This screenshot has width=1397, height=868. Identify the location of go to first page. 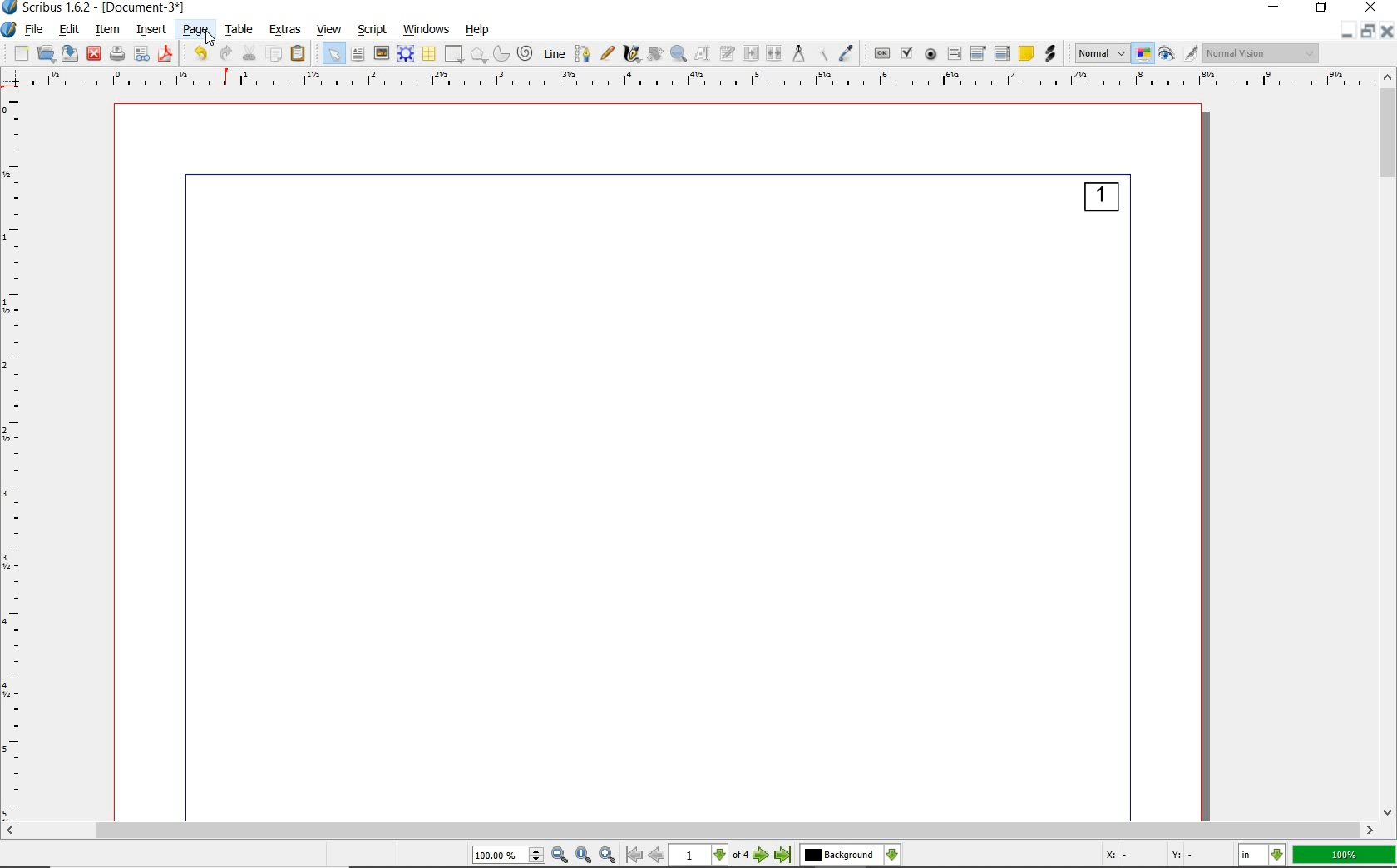
(634, 856).